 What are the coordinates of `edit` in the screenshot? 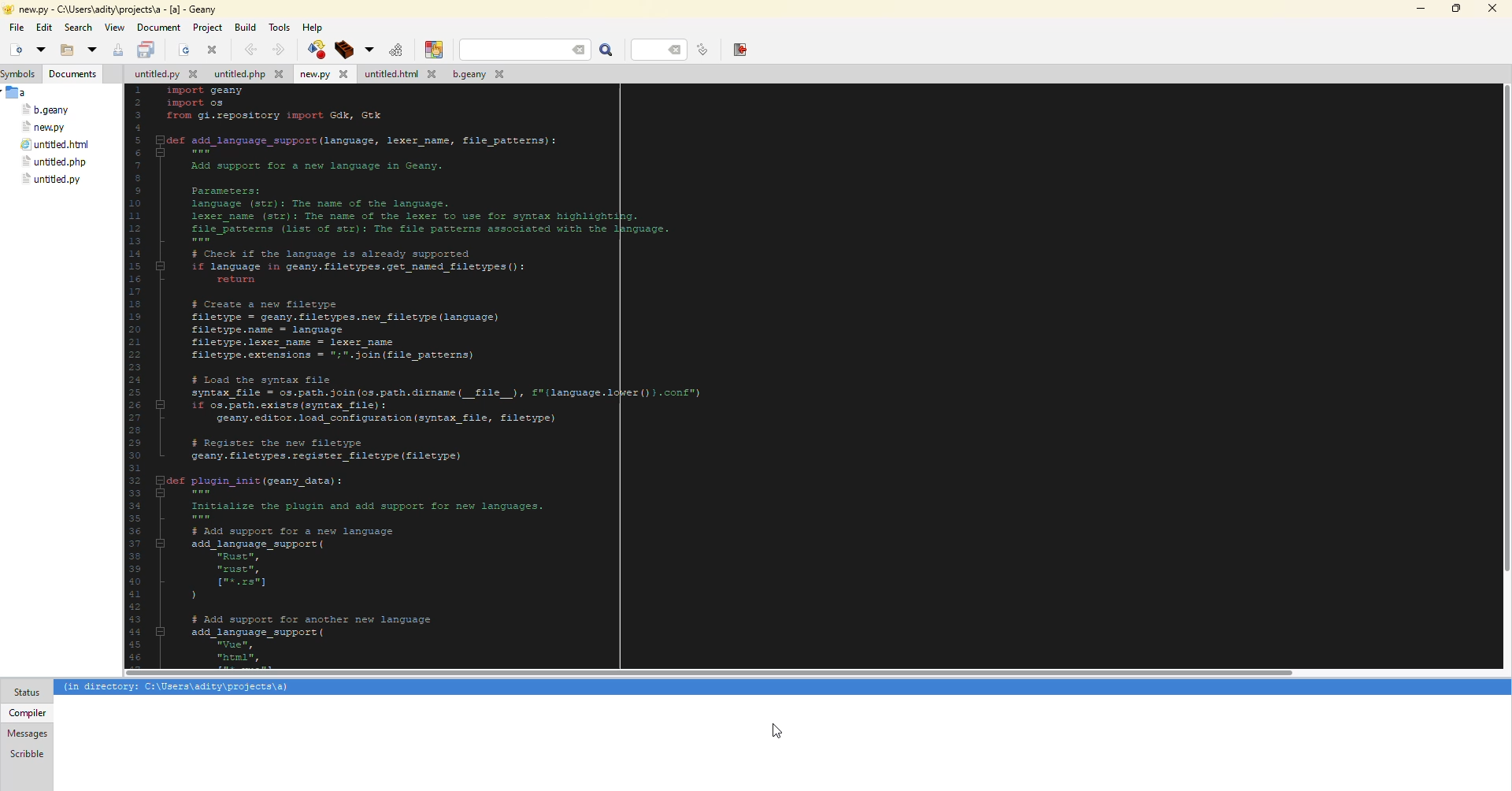 It's located at (43, 28).